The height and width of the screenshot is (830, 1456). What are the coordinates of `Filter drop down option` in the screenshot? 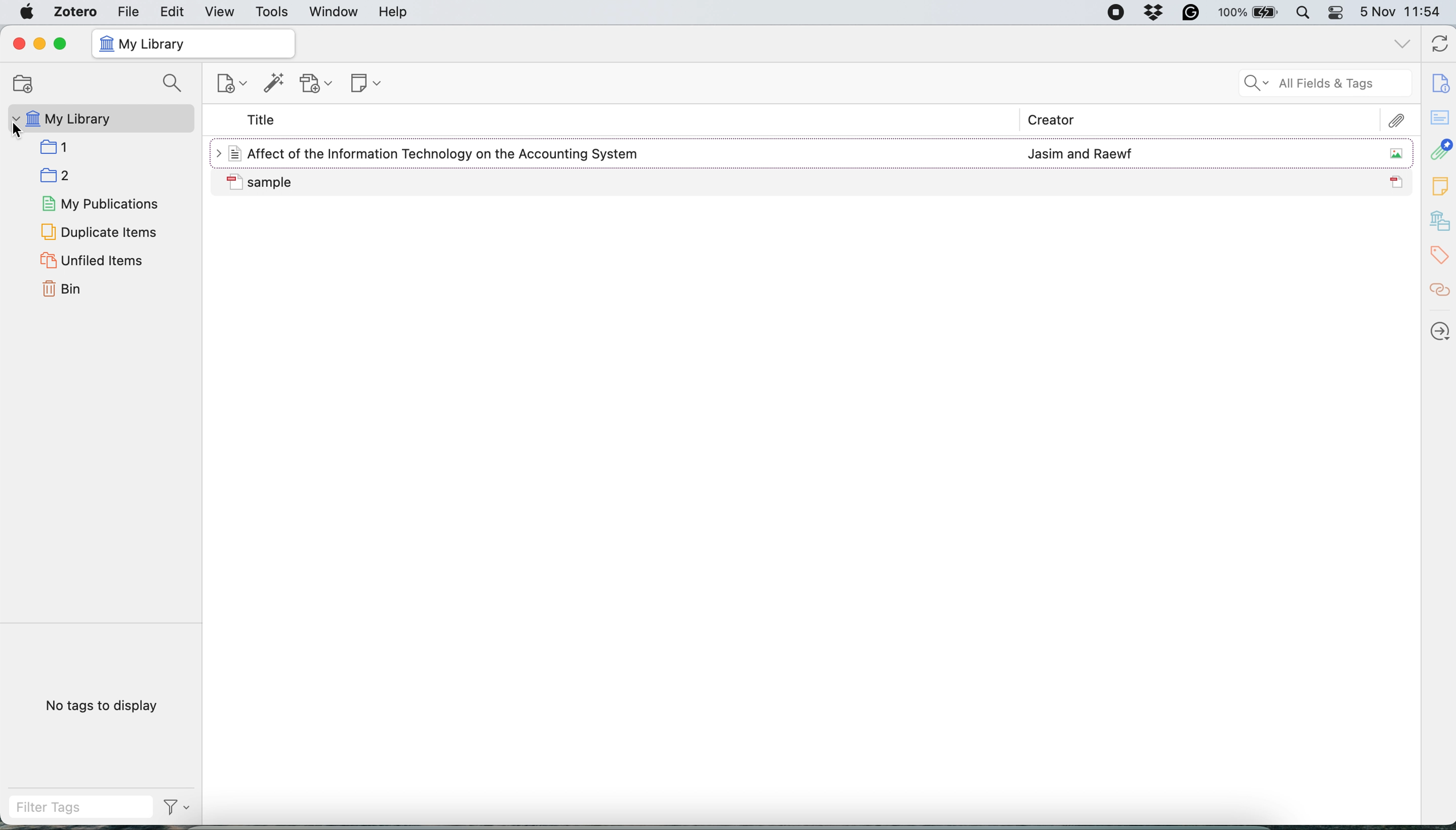 It's located at (174, 813).